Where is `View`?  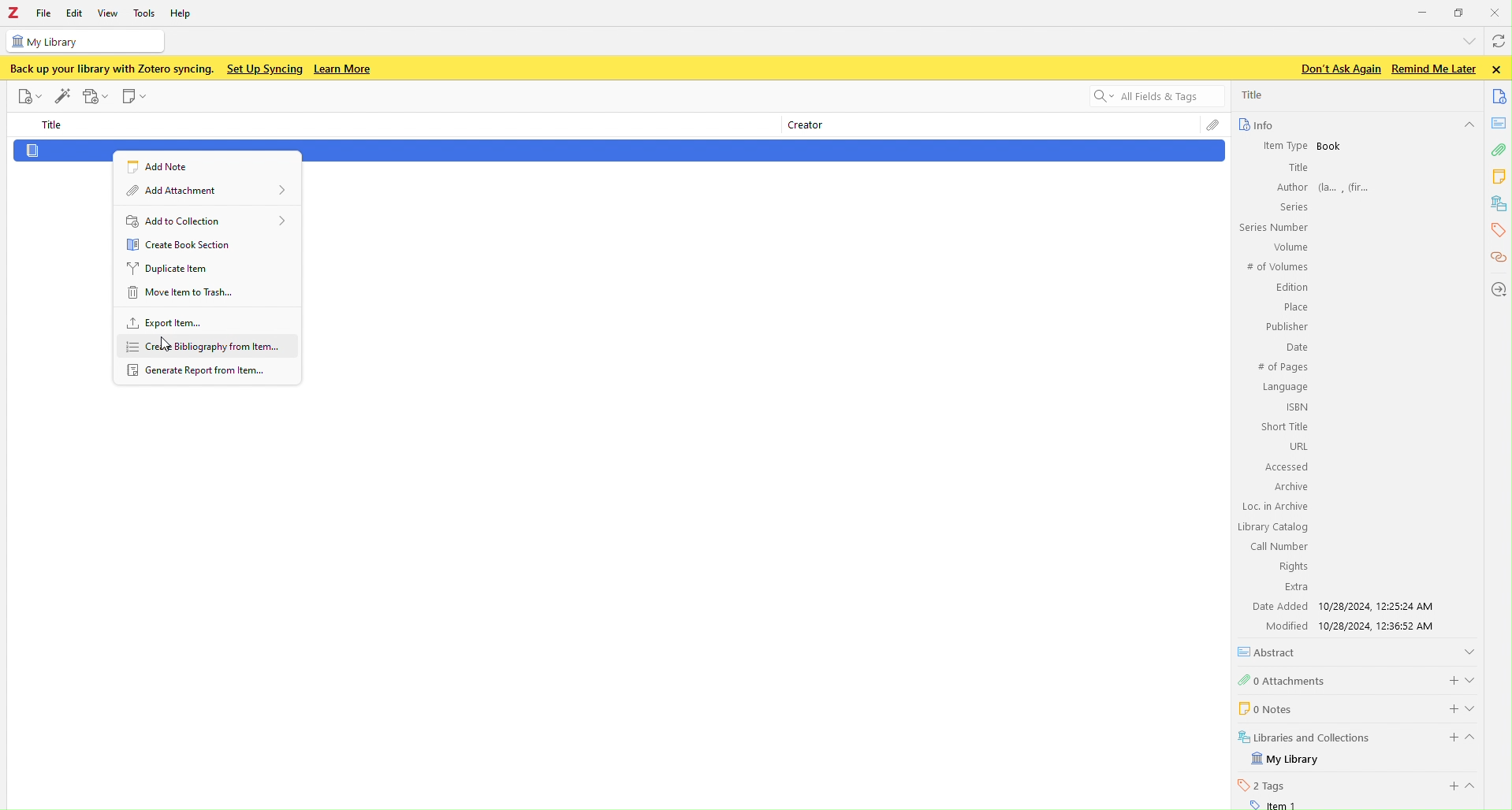
View is located at coordinates (110, 13).